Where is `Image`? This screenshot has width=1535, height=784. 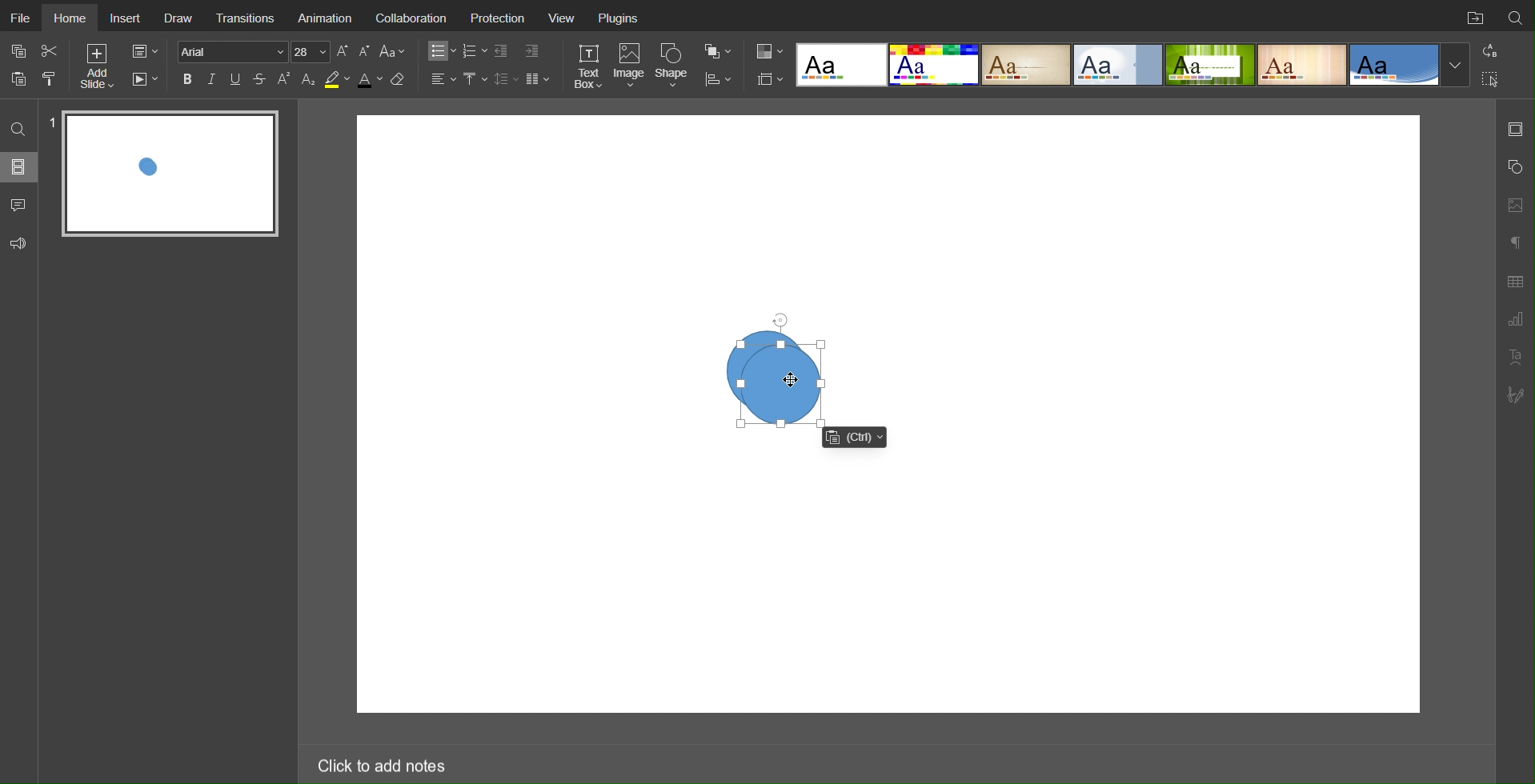
Image is located at coordinates (631, 66).